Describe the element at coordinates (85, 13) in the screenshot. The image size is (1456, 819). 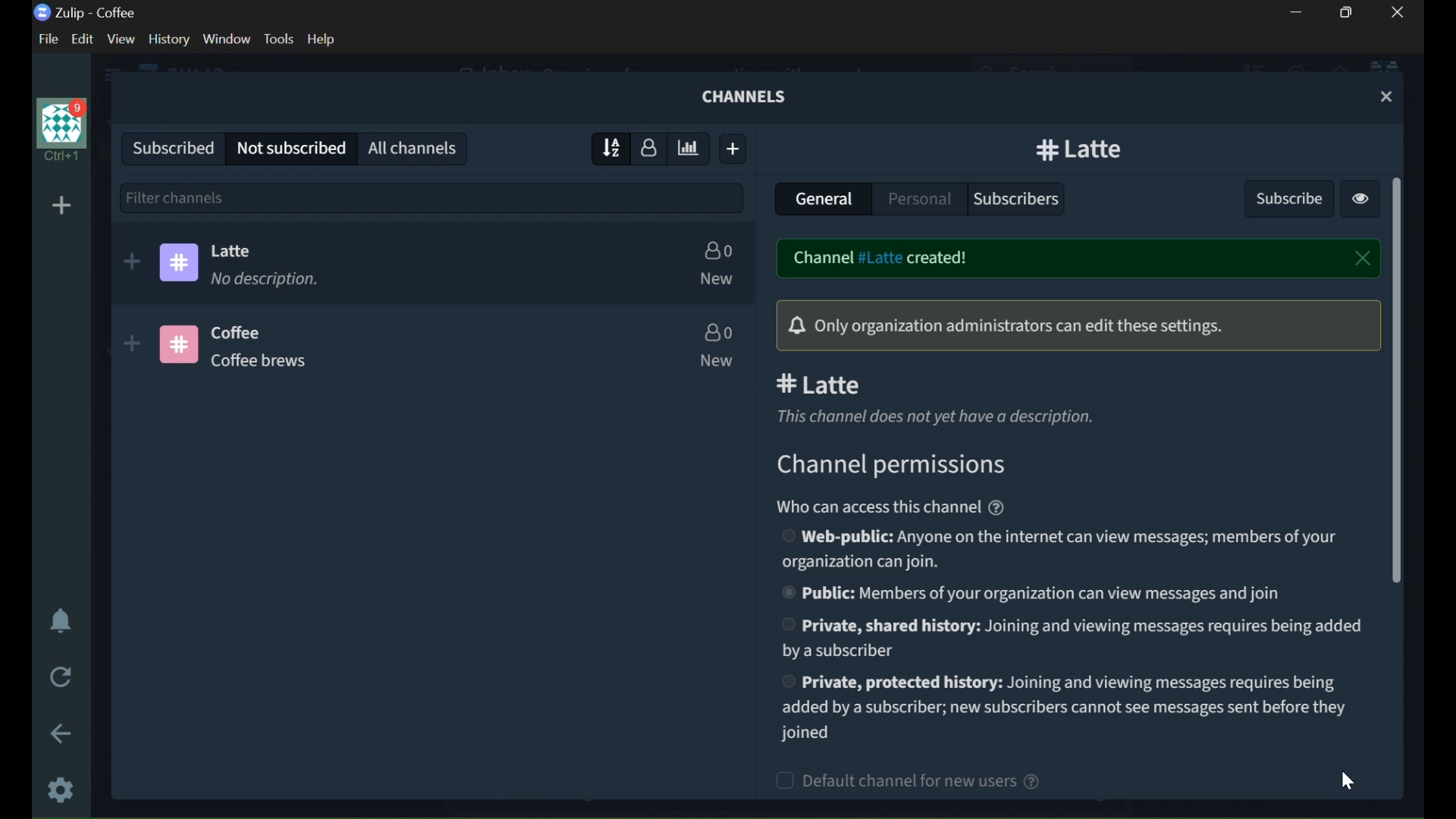
I see `Zulip - coffee` at that location.